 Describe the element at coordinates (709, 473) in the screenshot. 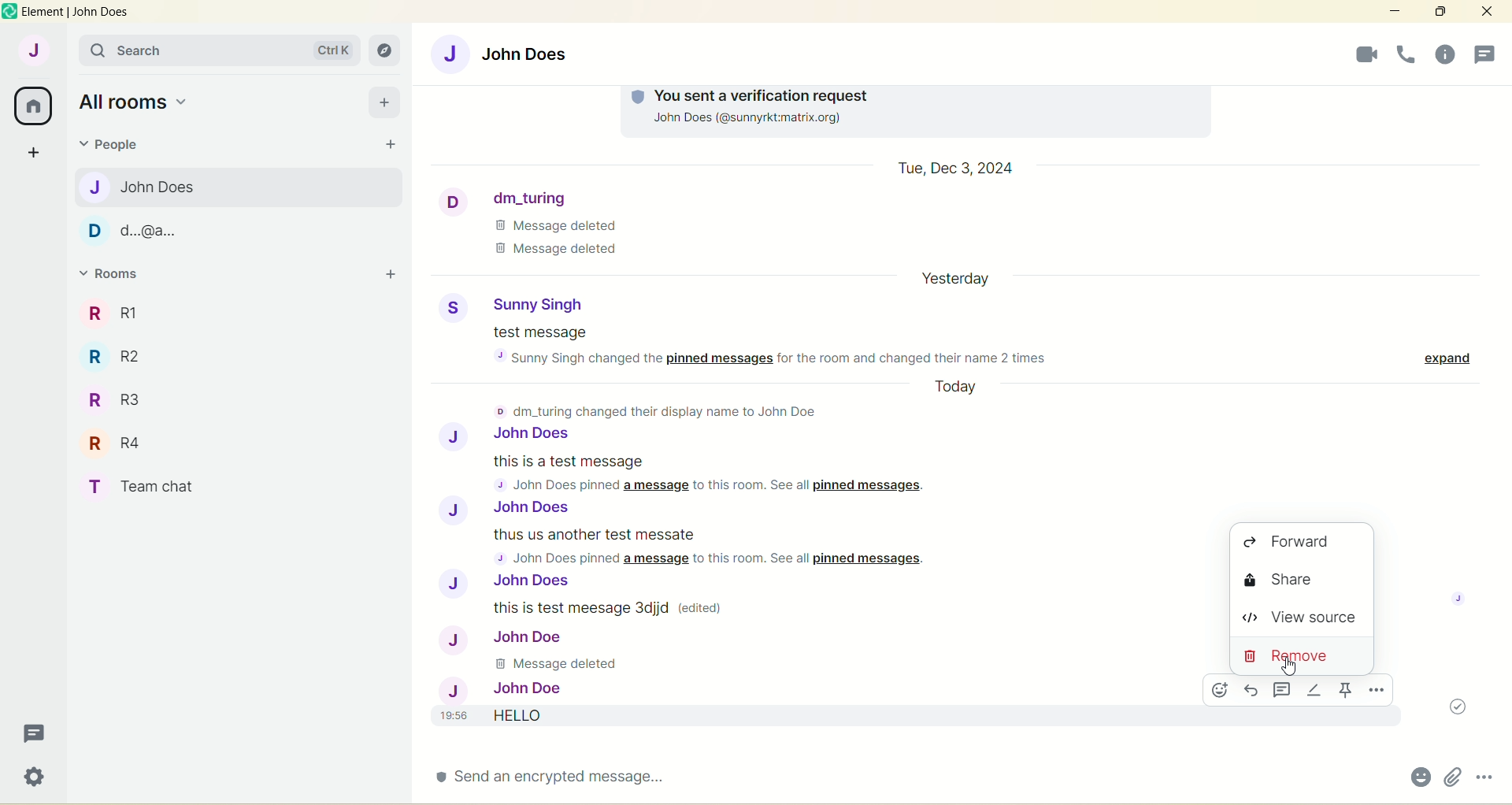

I see `this is a test message
4 John Does pinned a message to this room. See all pinned messages.` at that location.